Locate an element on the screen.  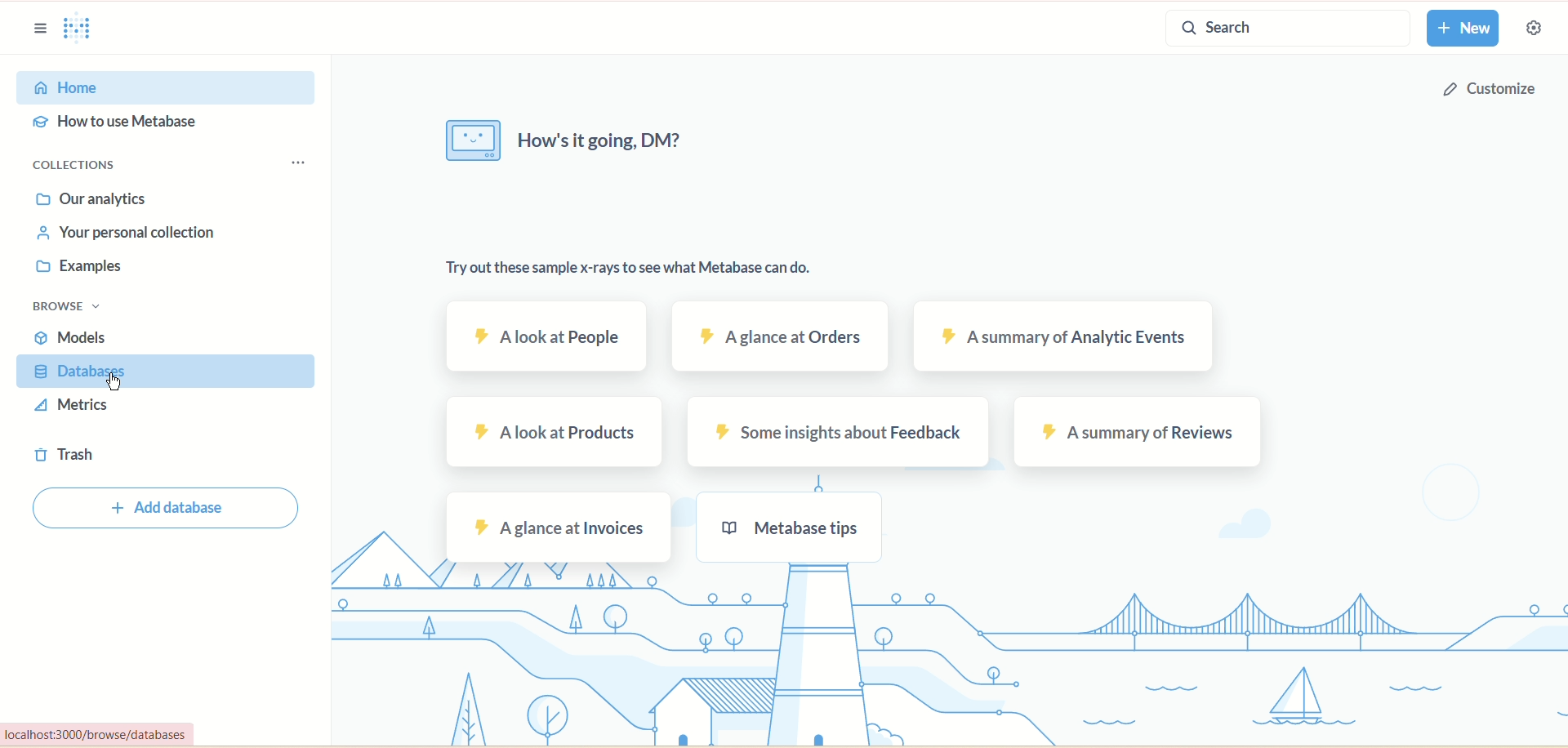
a glance at orders is located at coordinates (777, 337).